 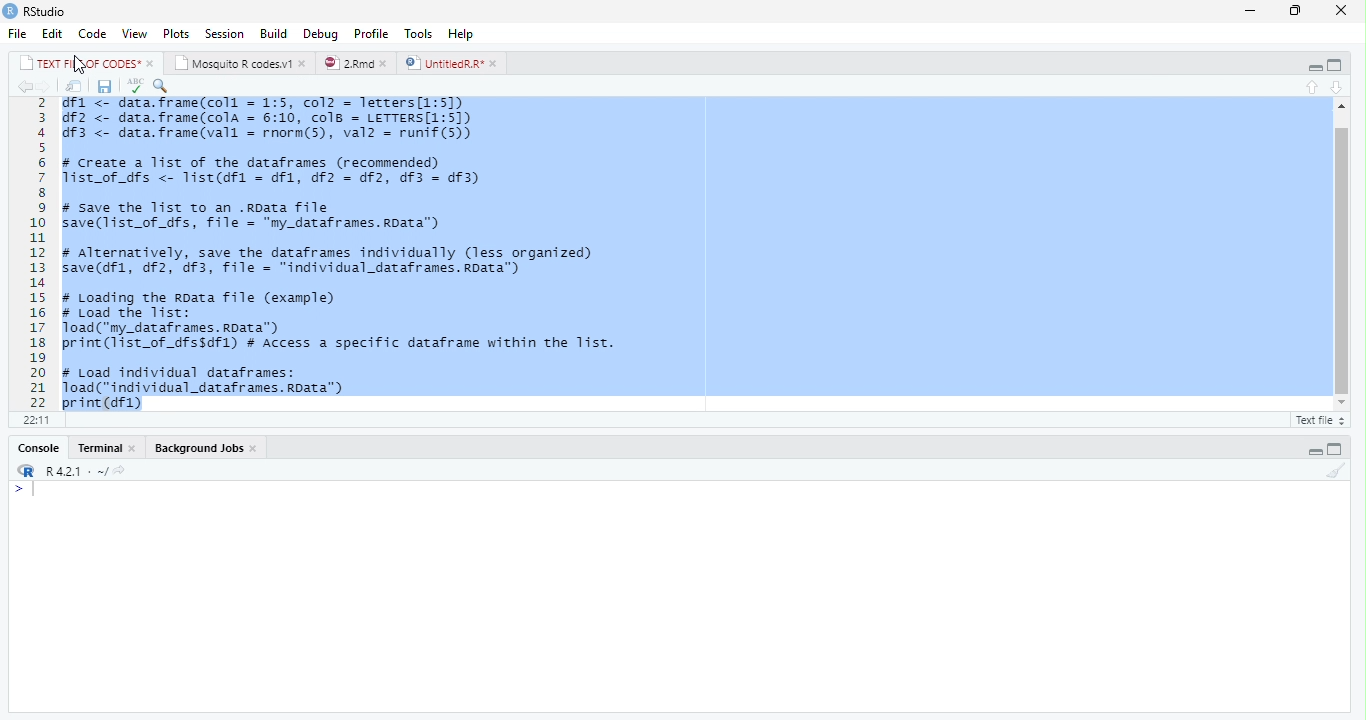 What do you see at coordinates (1341, 11) in the screenshot?
I see `Close` at bounding box center [1341, 11].